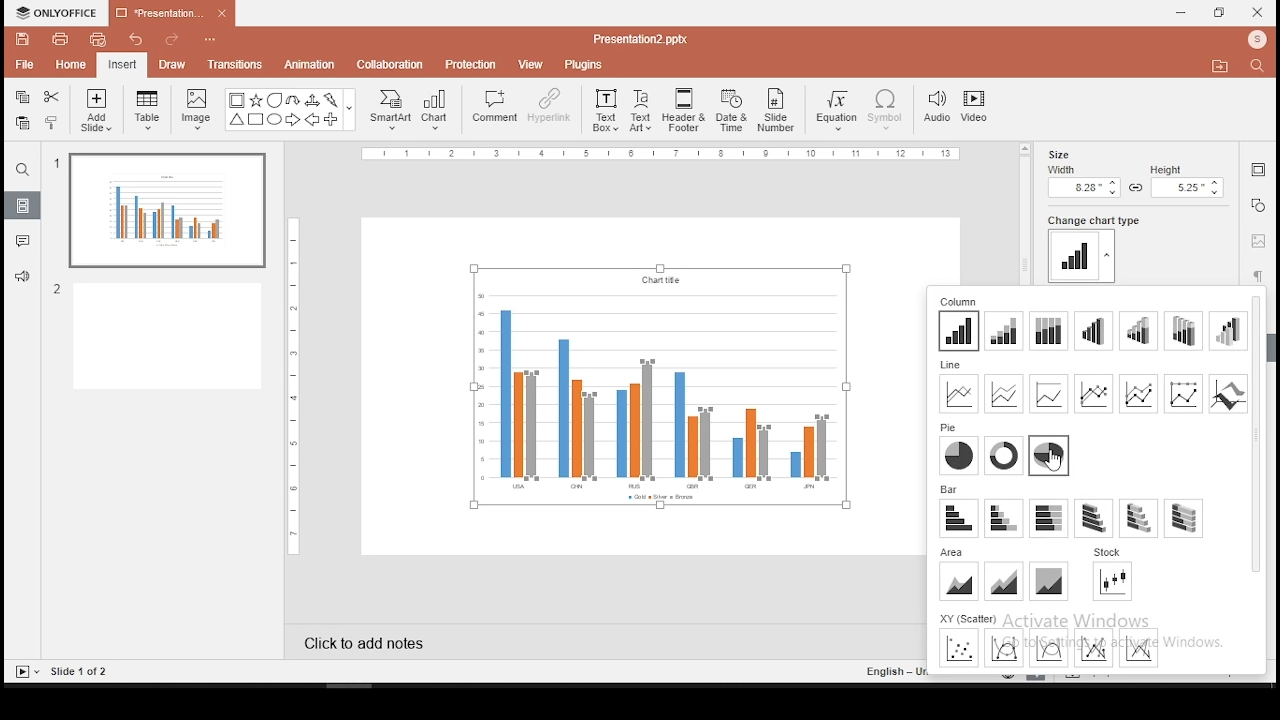 The width and height of the screenshot is (1280, 720). What do you see at coordinates (1220, 66) in the screenshot?
I see `Folder` at bounding box center [1220, 66].